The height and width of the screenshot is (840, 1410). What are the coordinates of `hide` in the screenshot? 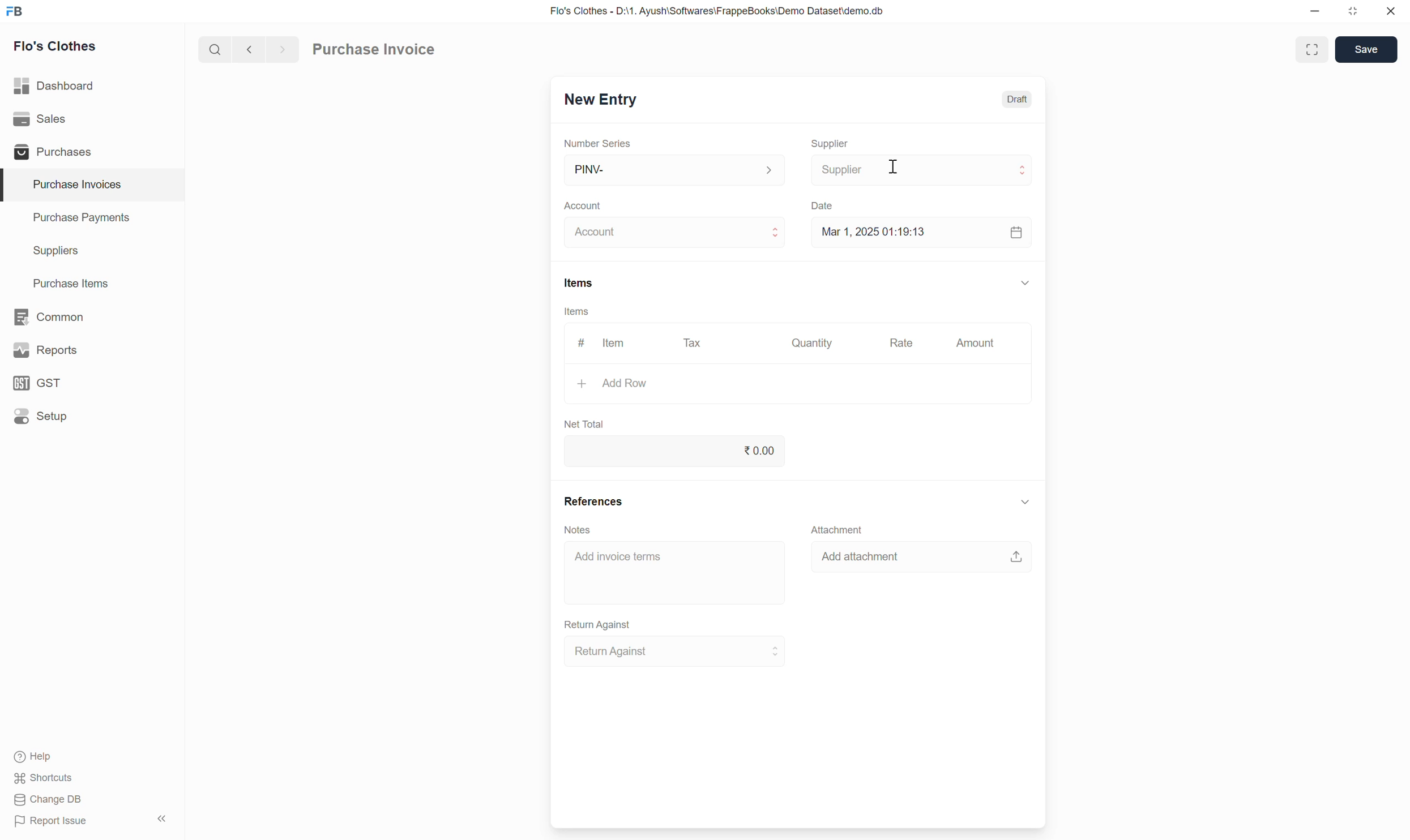 It's located at (160, 817).